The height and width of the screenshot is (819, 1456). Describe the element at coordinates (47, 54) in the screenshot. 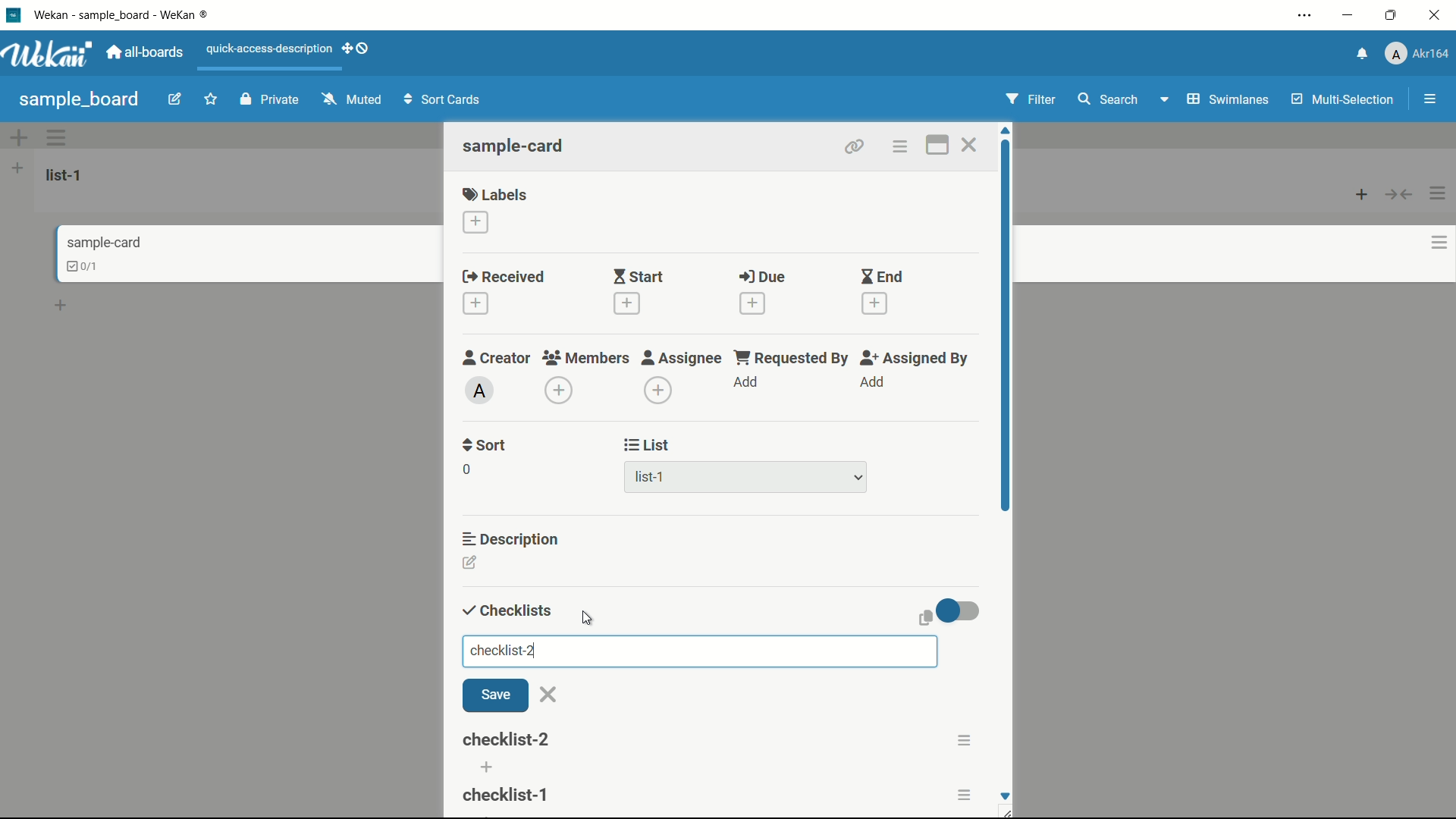

I see `app logo` at that location.